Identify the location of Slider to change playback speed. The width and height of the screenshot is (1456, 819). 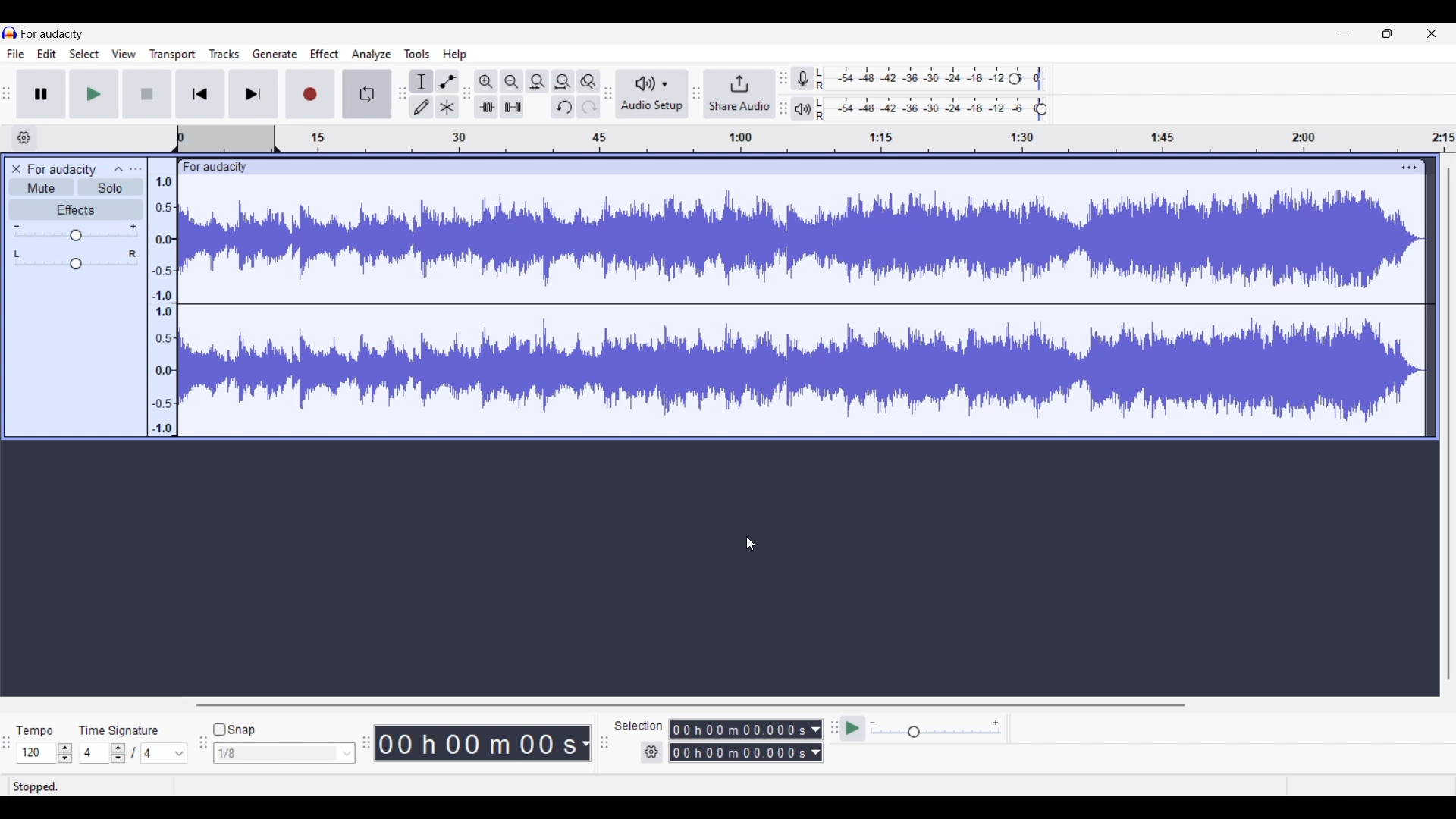
(934, 733).